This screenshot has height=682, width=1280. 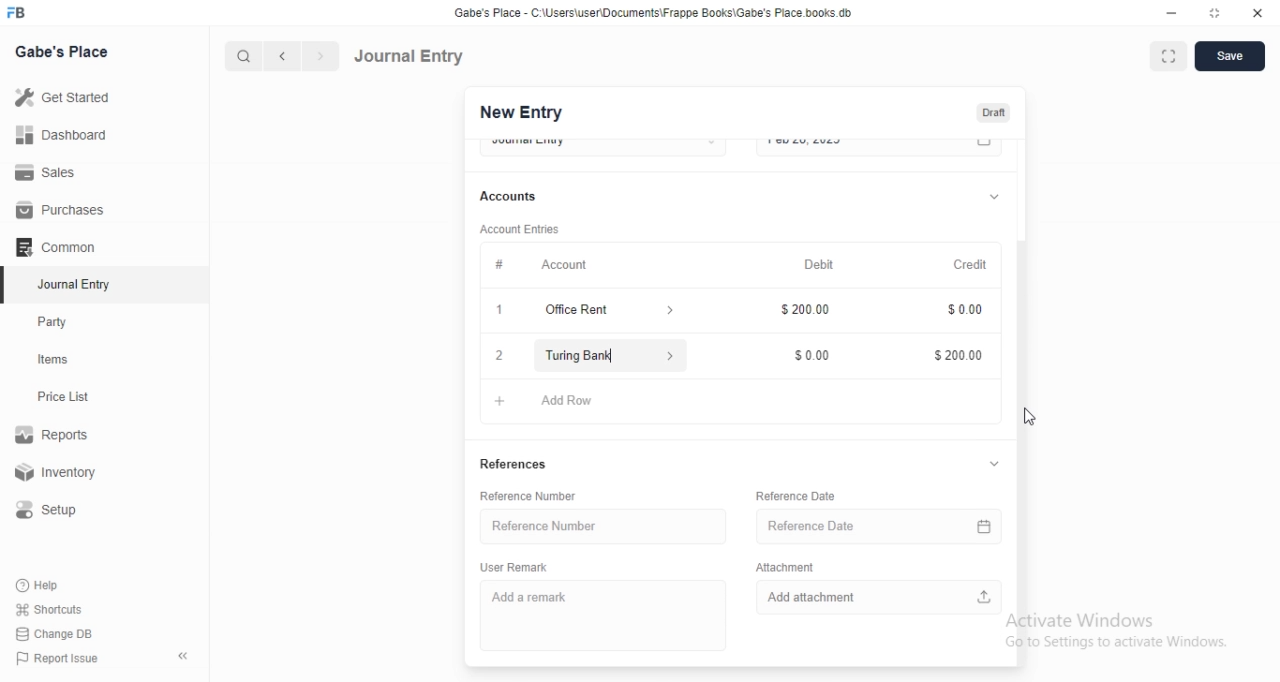 I want to click on Inventory, so click(x=59, y=474).